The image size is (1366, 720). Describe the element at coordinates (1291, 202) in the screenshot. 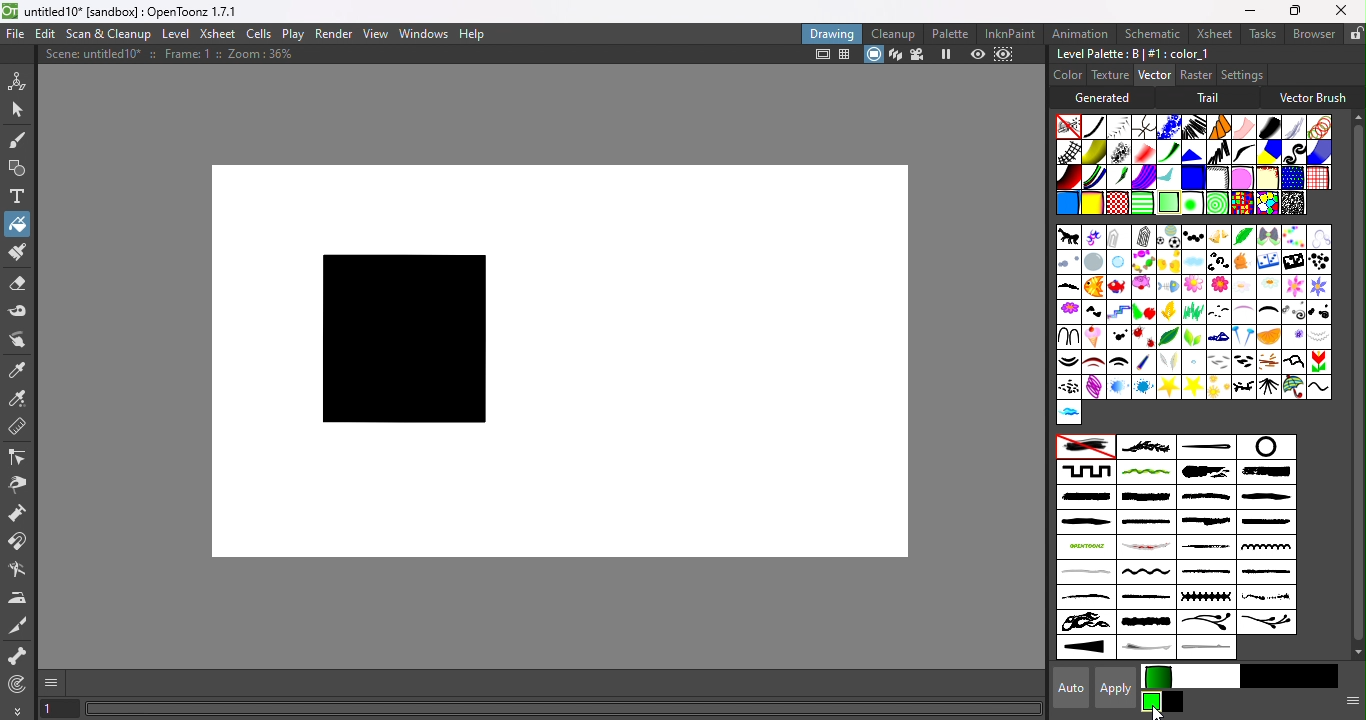

I see `Chalk` at that location.